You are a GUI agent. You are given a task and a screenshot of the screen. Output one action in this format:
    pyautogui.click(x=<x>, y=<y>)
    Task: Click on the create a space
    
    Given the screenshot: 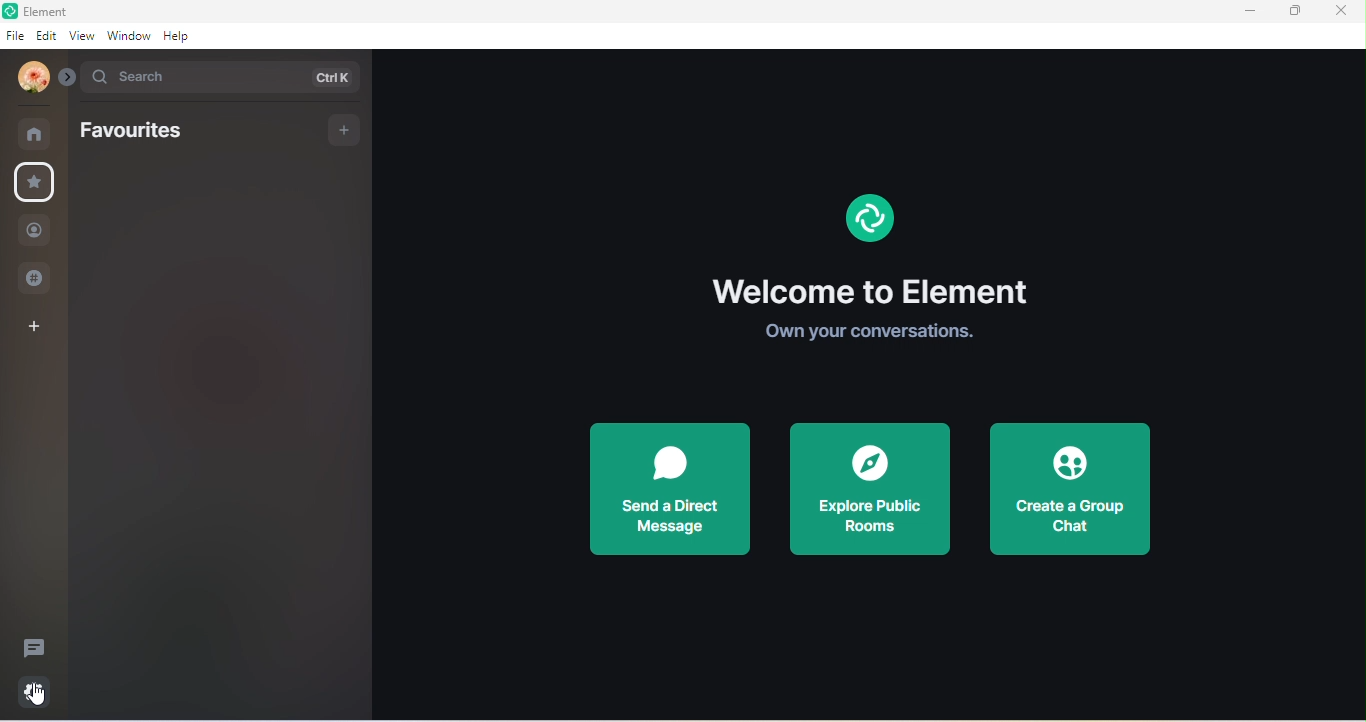 What is the action you would take?
    pyautogui.click(x=42, y=324)
    